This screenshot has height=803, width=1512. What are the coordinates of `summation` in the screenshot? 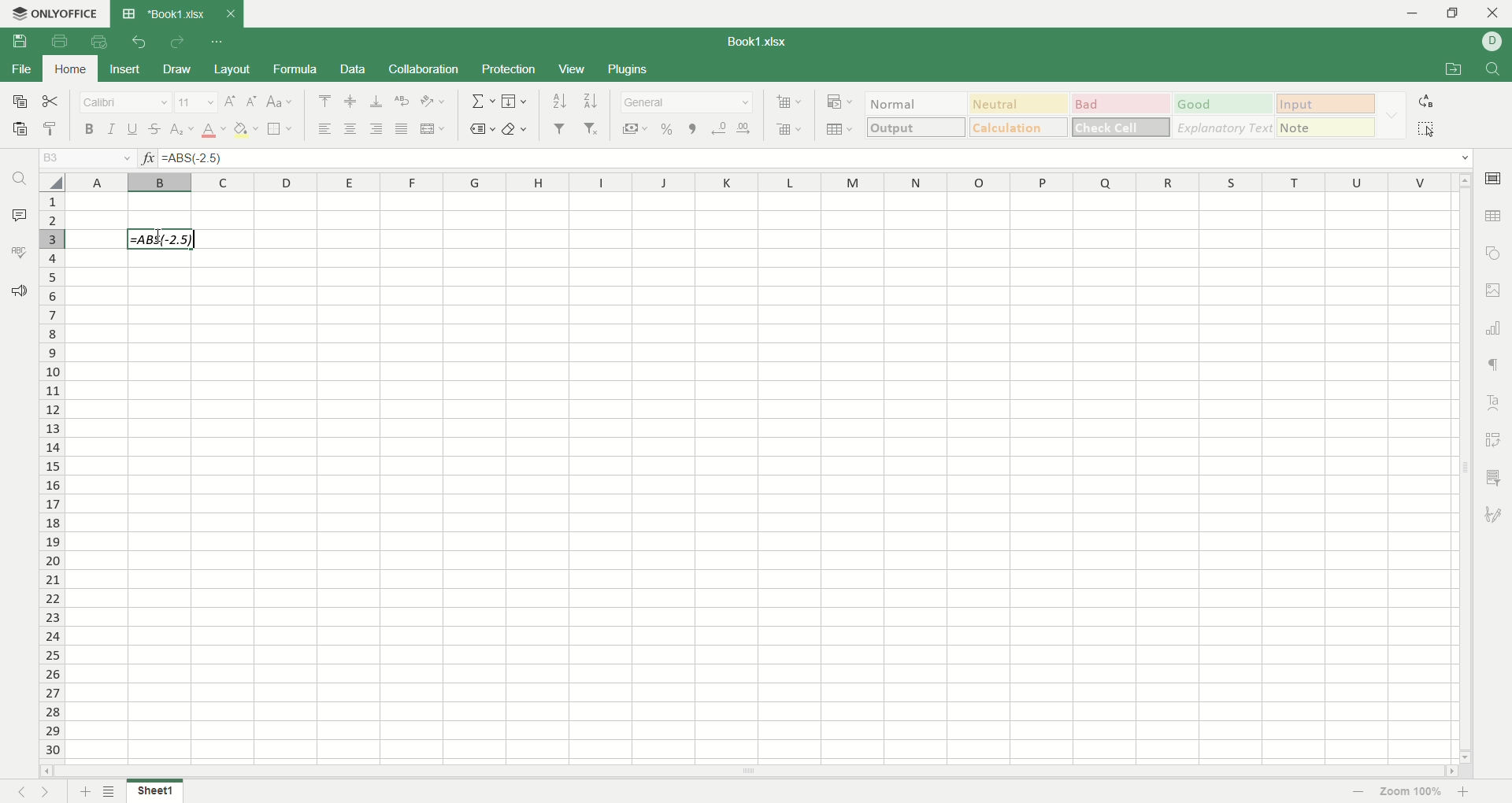 It's located at (482, 100).